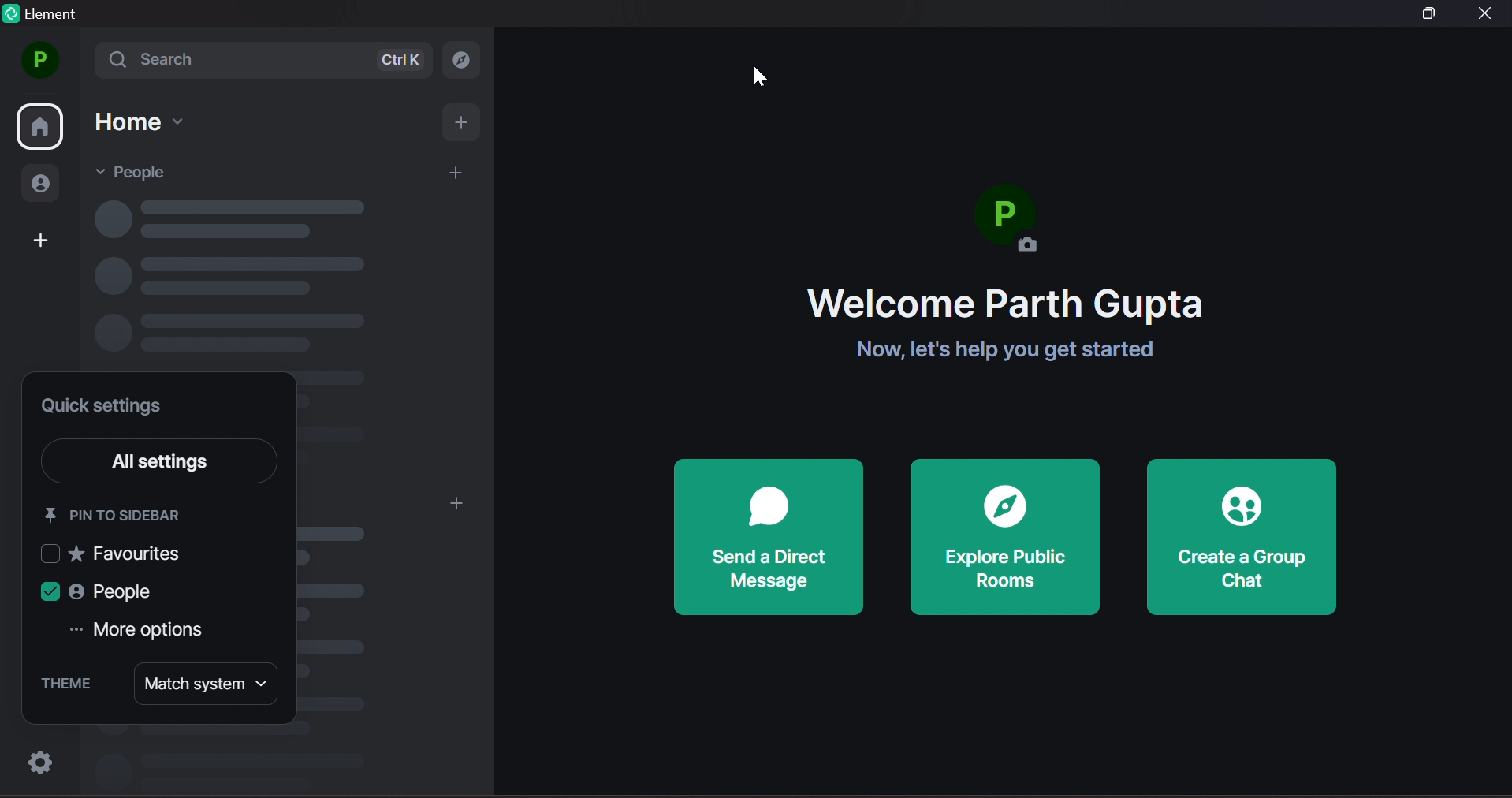  I want to click on more options, so click(73, 629).